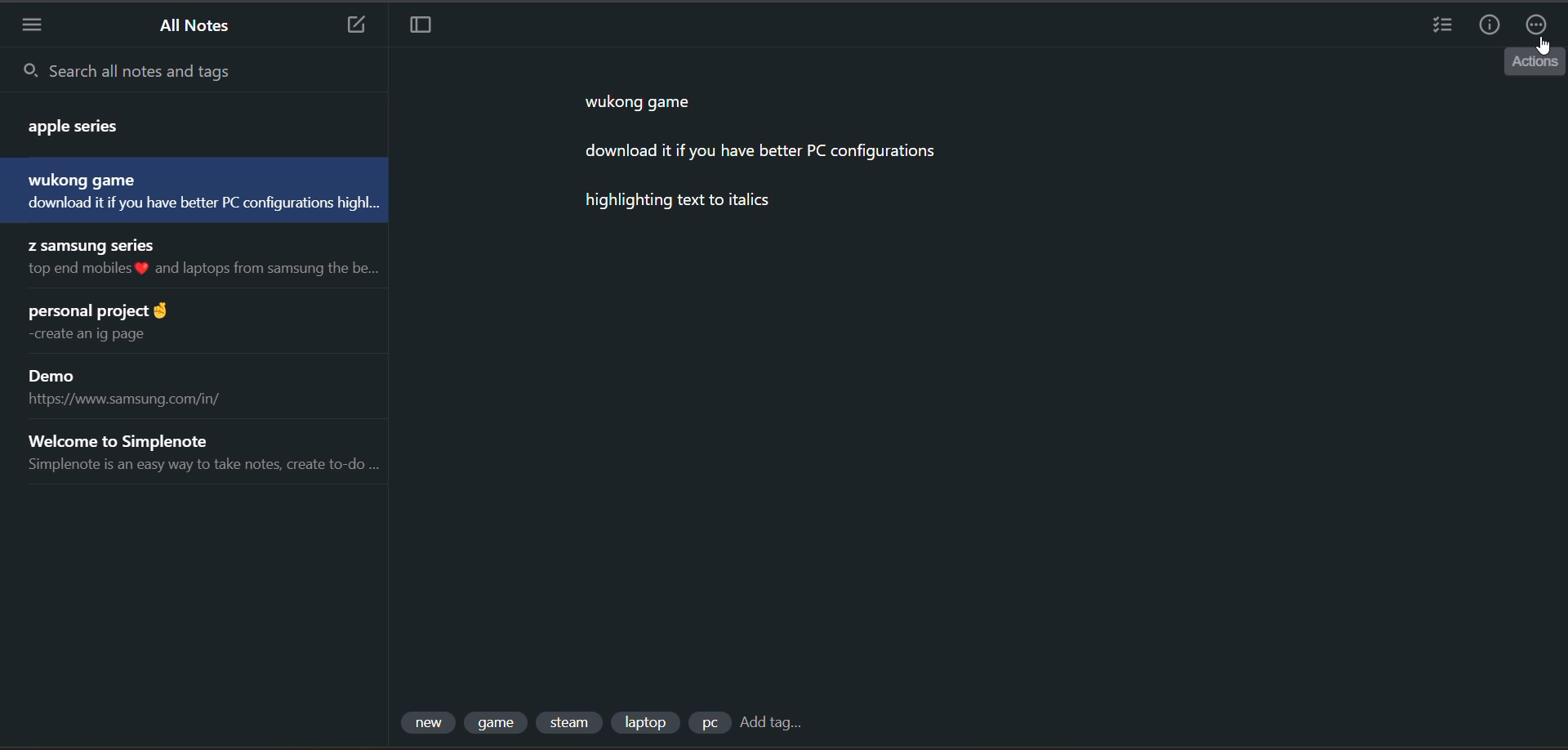  What do you see at coordinates (32, 24) in the screenshot?
I see `menu` at bounding box center [32, 24].